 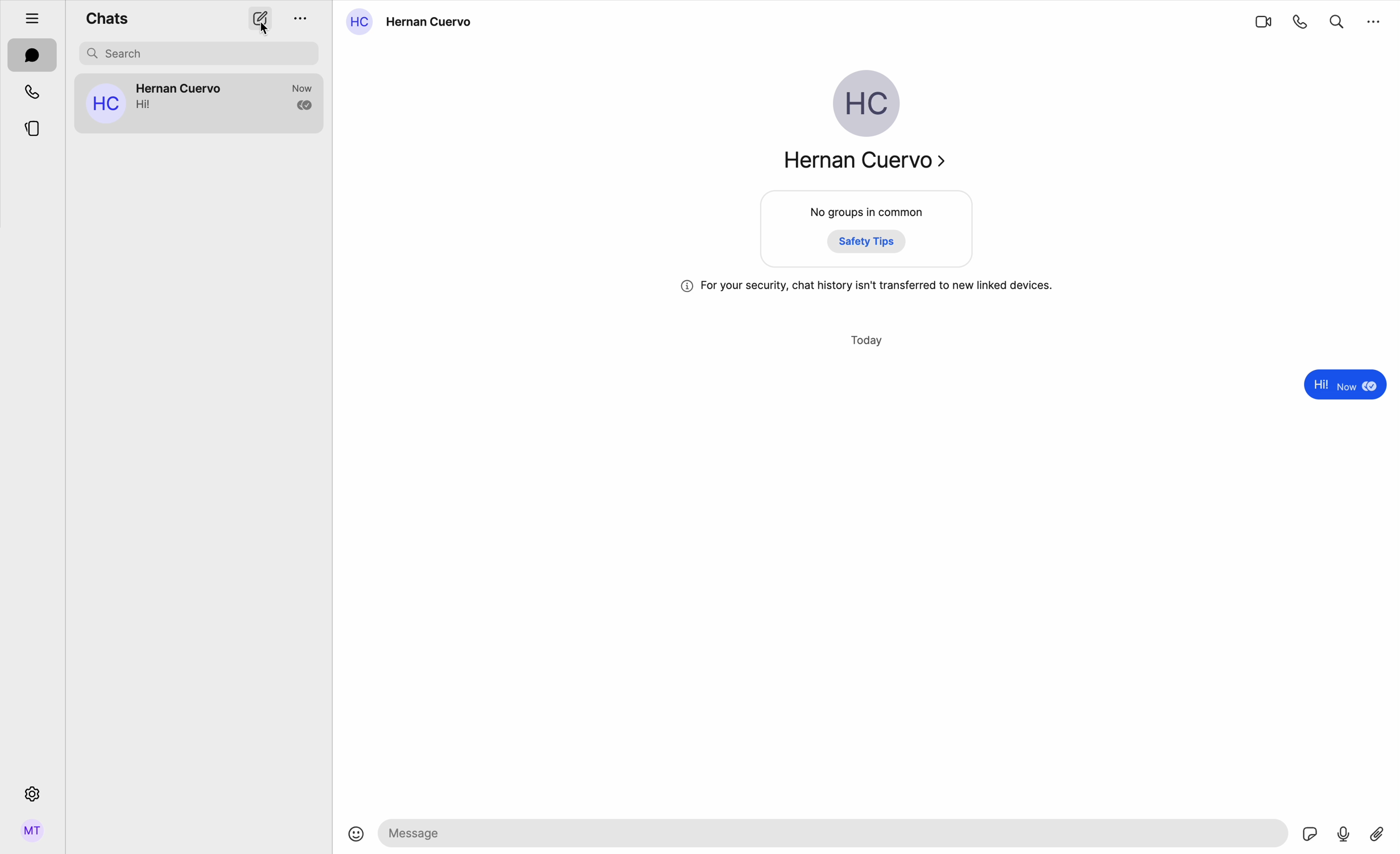 What do you see at coordinates (1311, 835) in the screenshot?
I see `sticker` at bounding box center [1311, 835].